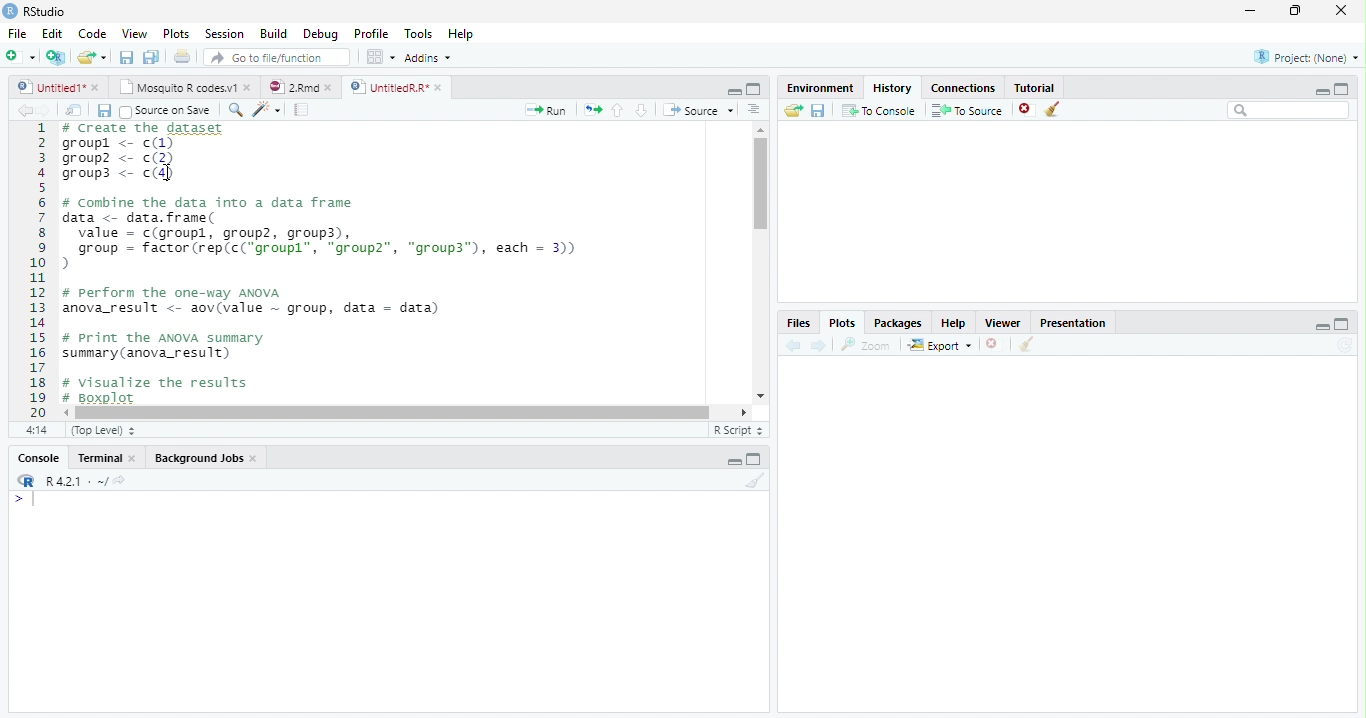  What do you see at coordinates (77, 481) in the screenshot?
I see `R 4.2.1 ~/` at bounding box center [77, 481].